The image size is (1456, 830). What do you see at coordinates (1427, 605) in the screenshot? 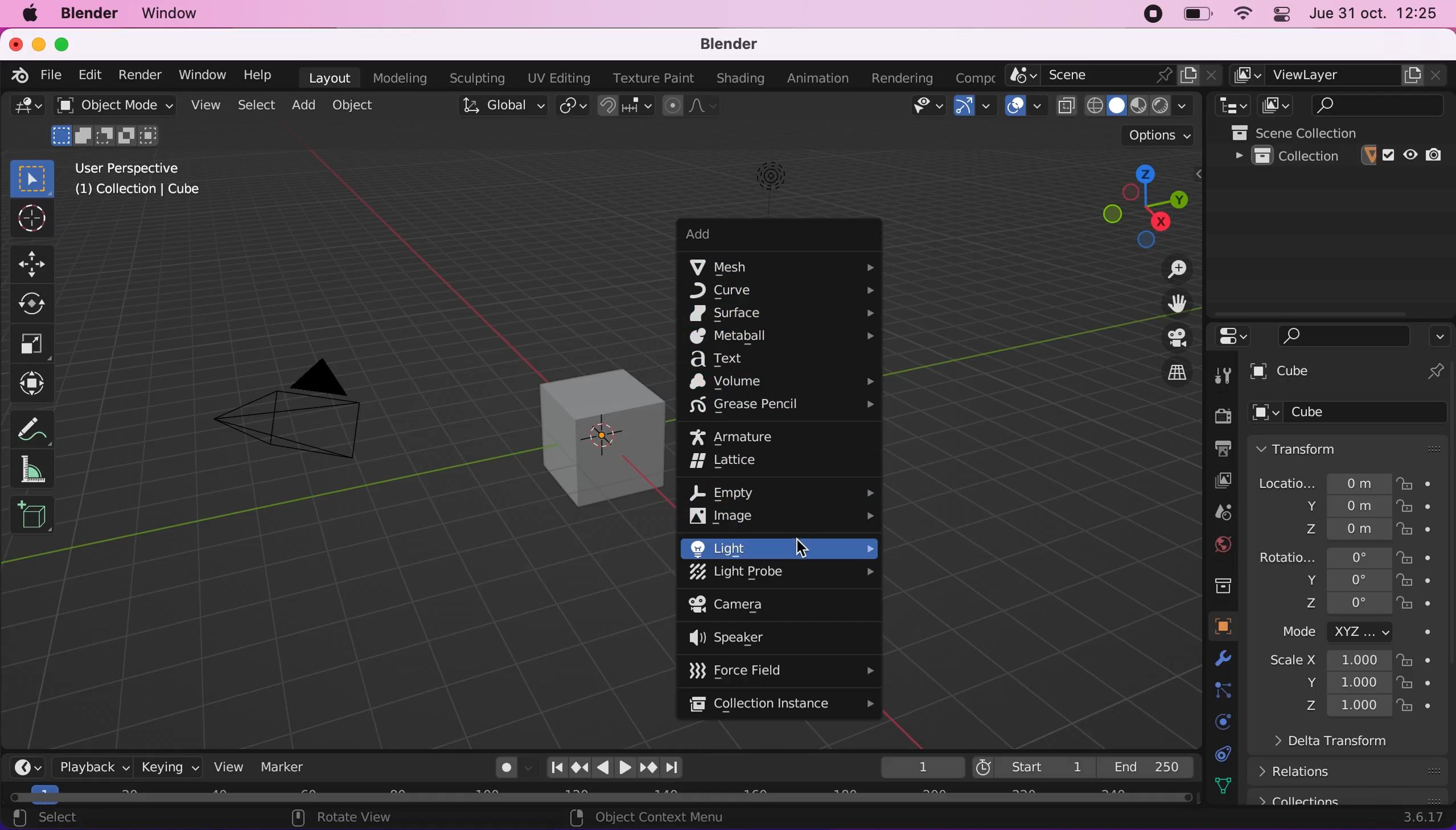
I see `lock` at bounding box center [1427, 605].